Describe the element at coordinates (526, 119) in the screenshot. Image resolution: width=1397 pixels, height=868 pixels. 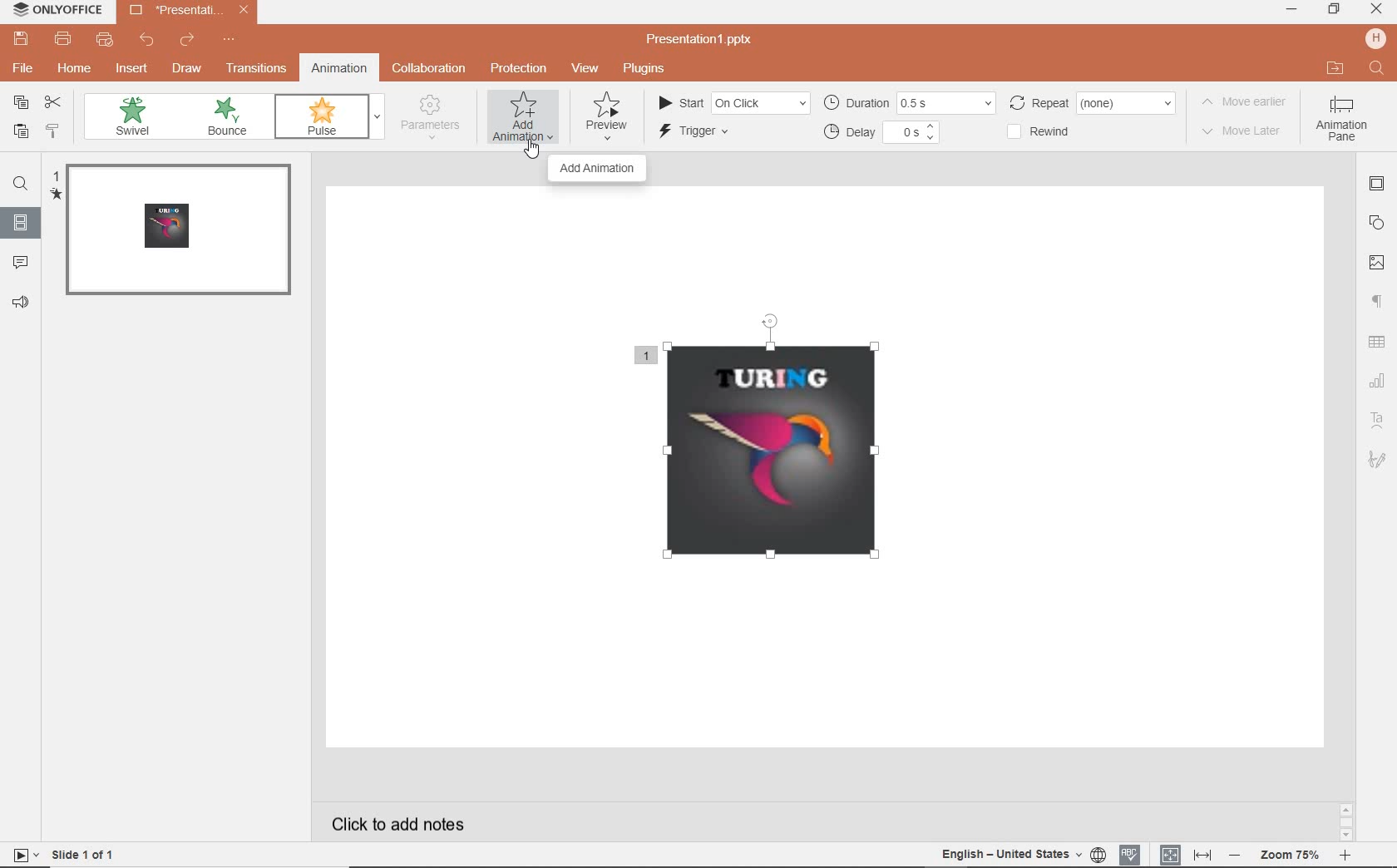
I see `add animation` at that location.